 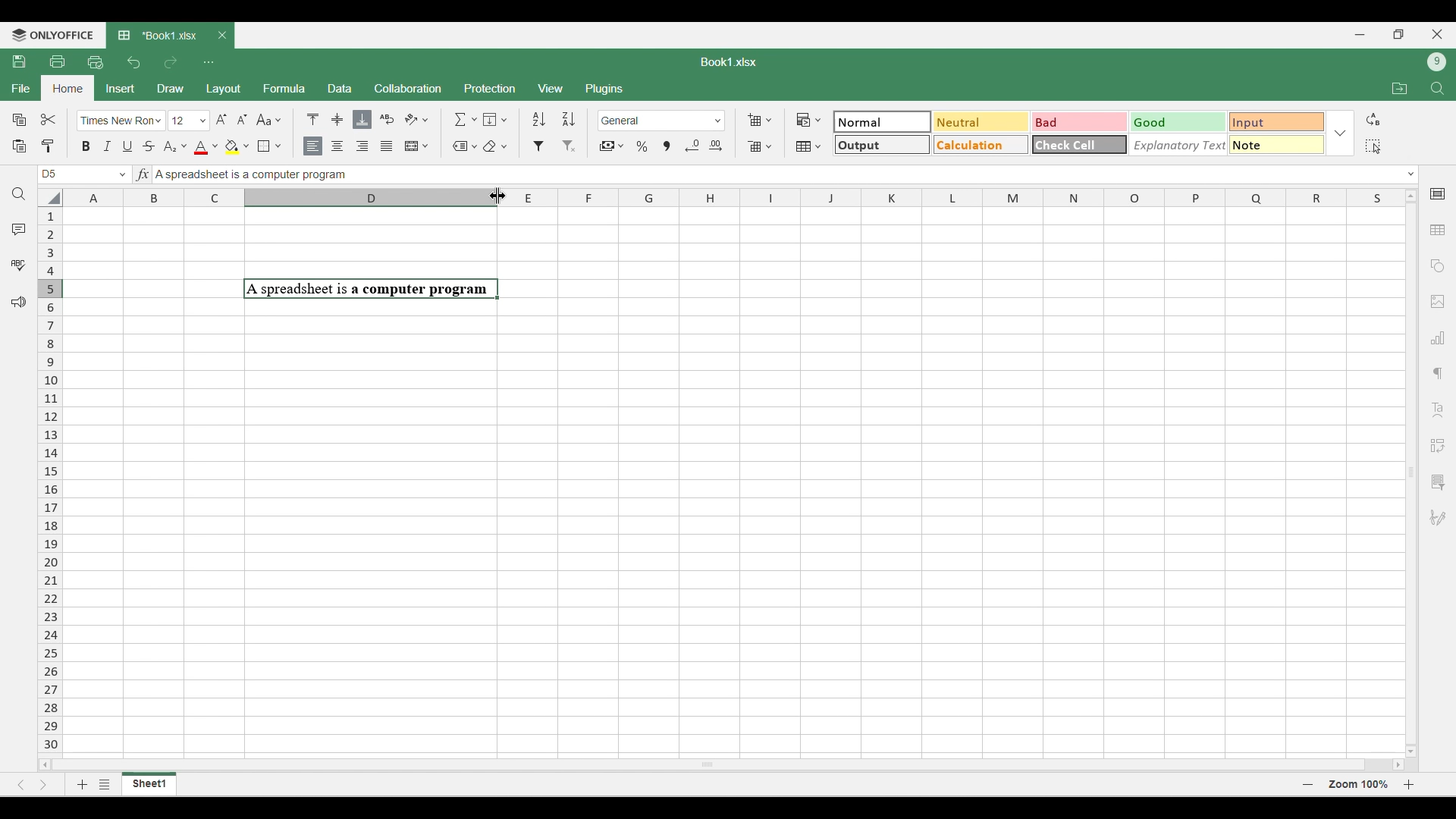 I want to click on Current sheet, so click(x=149, y=784).